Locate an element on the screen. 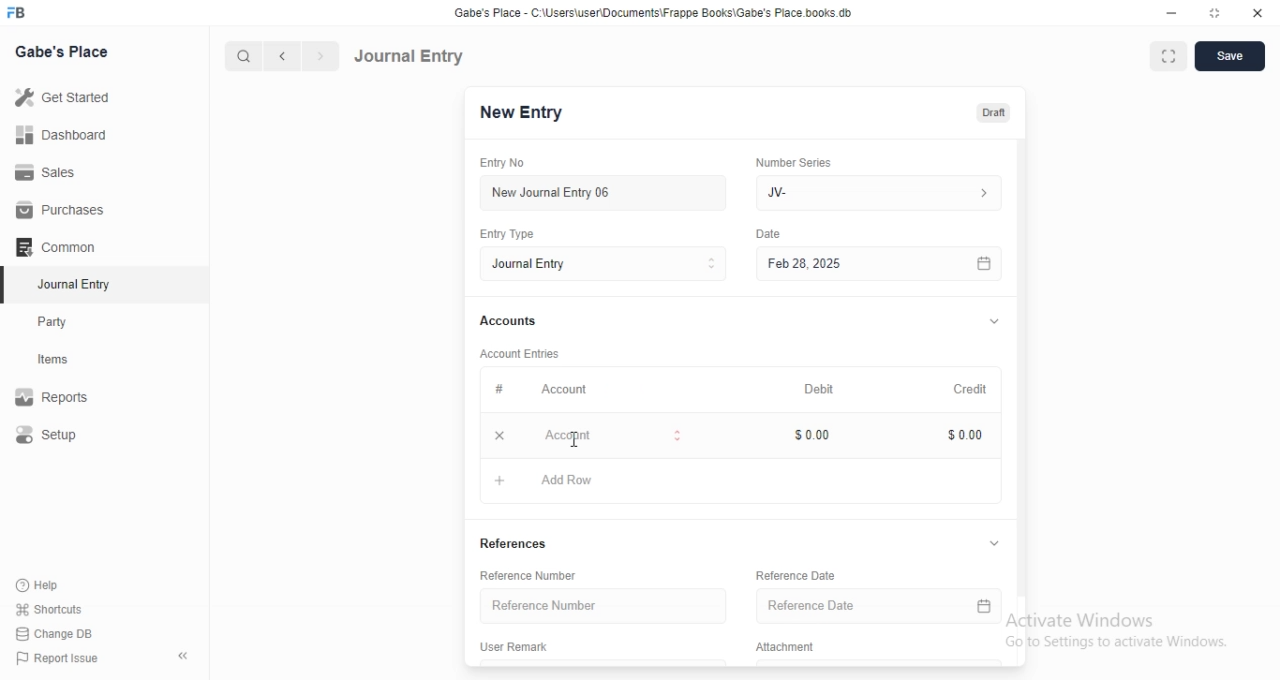 This screenshot has height=680, width=1280. Attachment is located at coordinates (788, 648).